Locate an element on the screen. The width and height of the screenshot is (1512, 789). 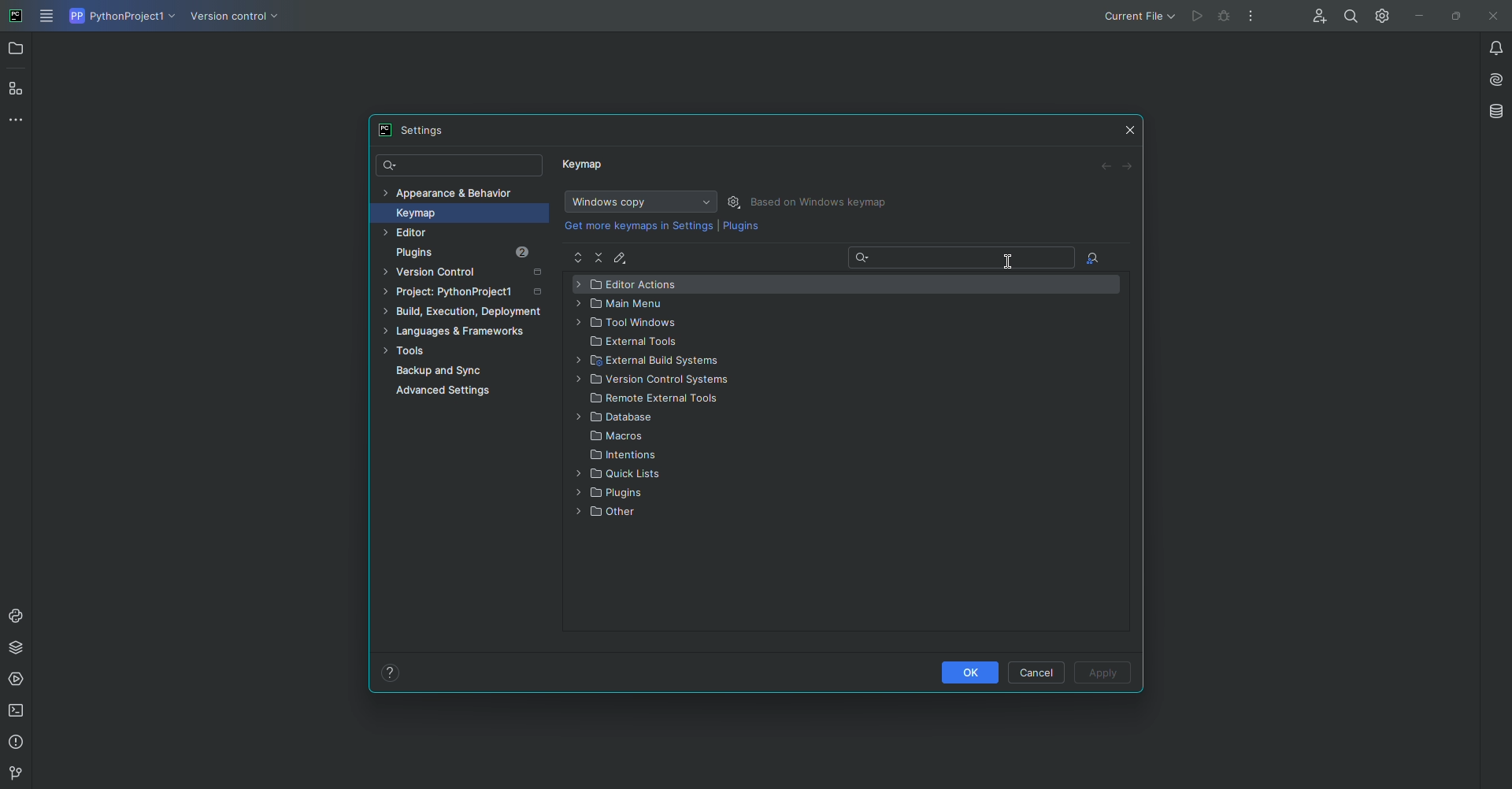
Find is located at coordinates (1351, 16).